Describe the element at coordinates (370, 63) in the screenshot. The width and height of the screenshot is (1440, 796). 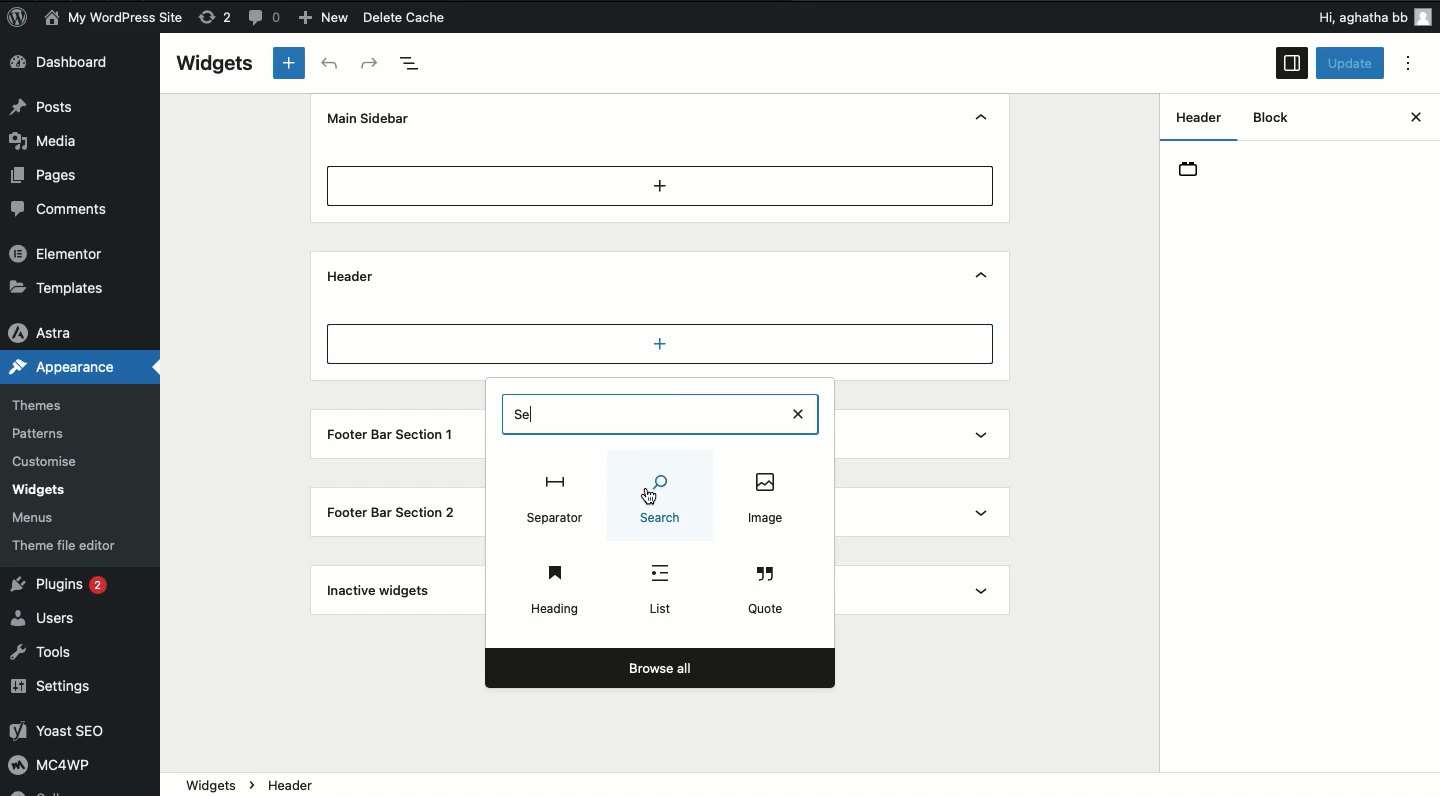
I see `Redo` at that location.